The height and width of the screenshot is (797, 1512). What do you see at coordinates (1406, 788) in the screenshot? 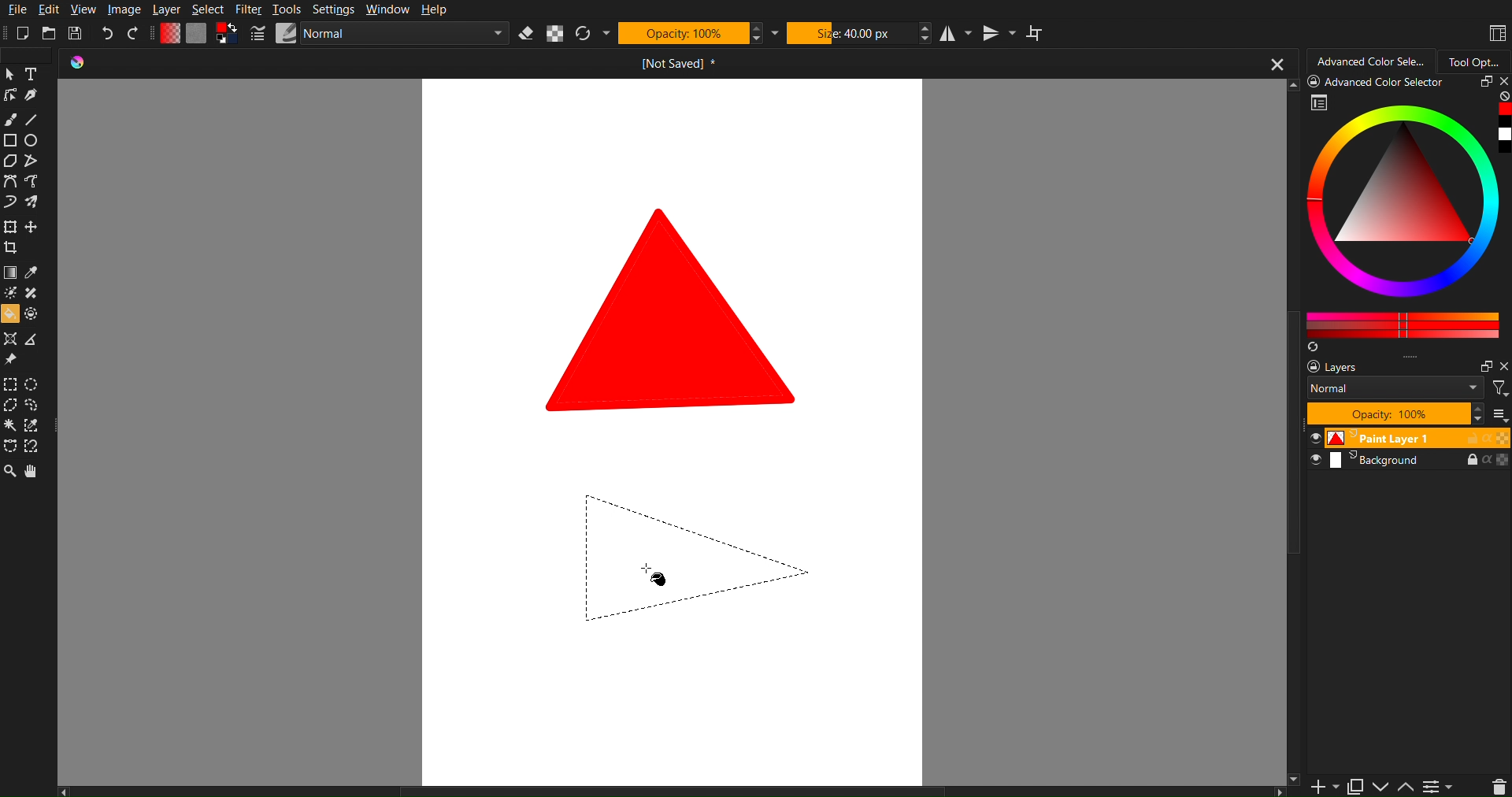
I see `Up ` at bounding box center [1406, 788].